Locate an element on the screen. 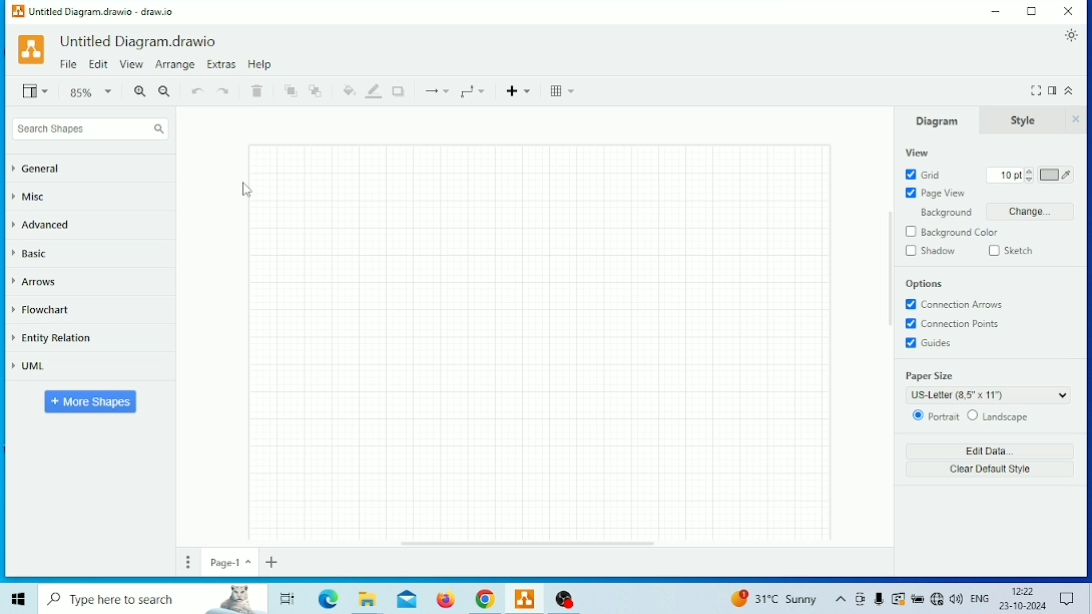  Fullscreen is located at coordinates (1036, 90).